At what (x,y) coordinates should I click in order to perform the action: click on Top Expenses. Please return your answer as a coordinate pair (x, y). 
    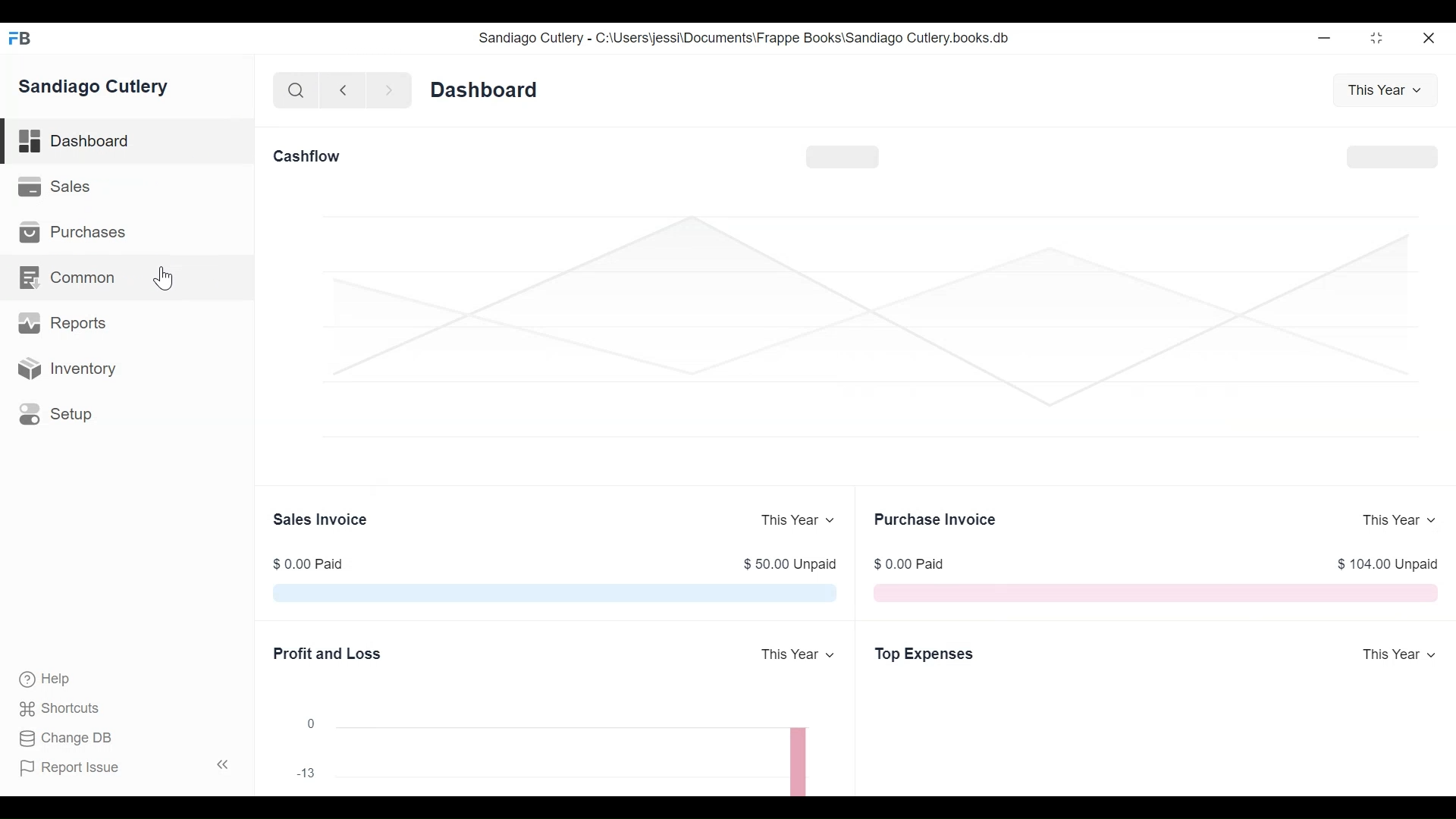
    Looking at the image, I should click on (924, 654).